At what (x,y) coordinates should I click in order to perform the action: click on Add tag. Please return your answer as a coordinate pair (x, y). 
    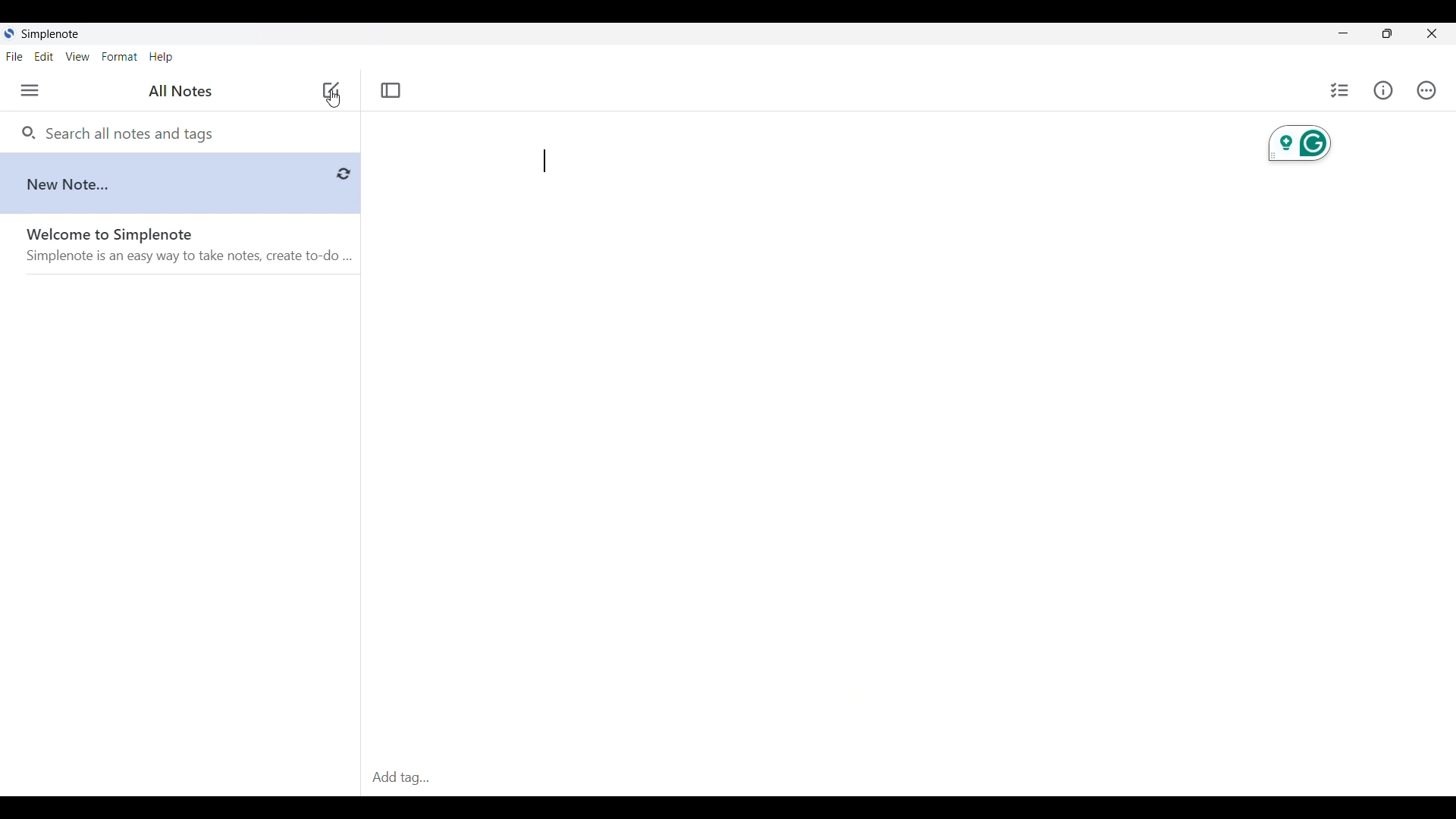
    Looking at the image, I should click on (400, 780).